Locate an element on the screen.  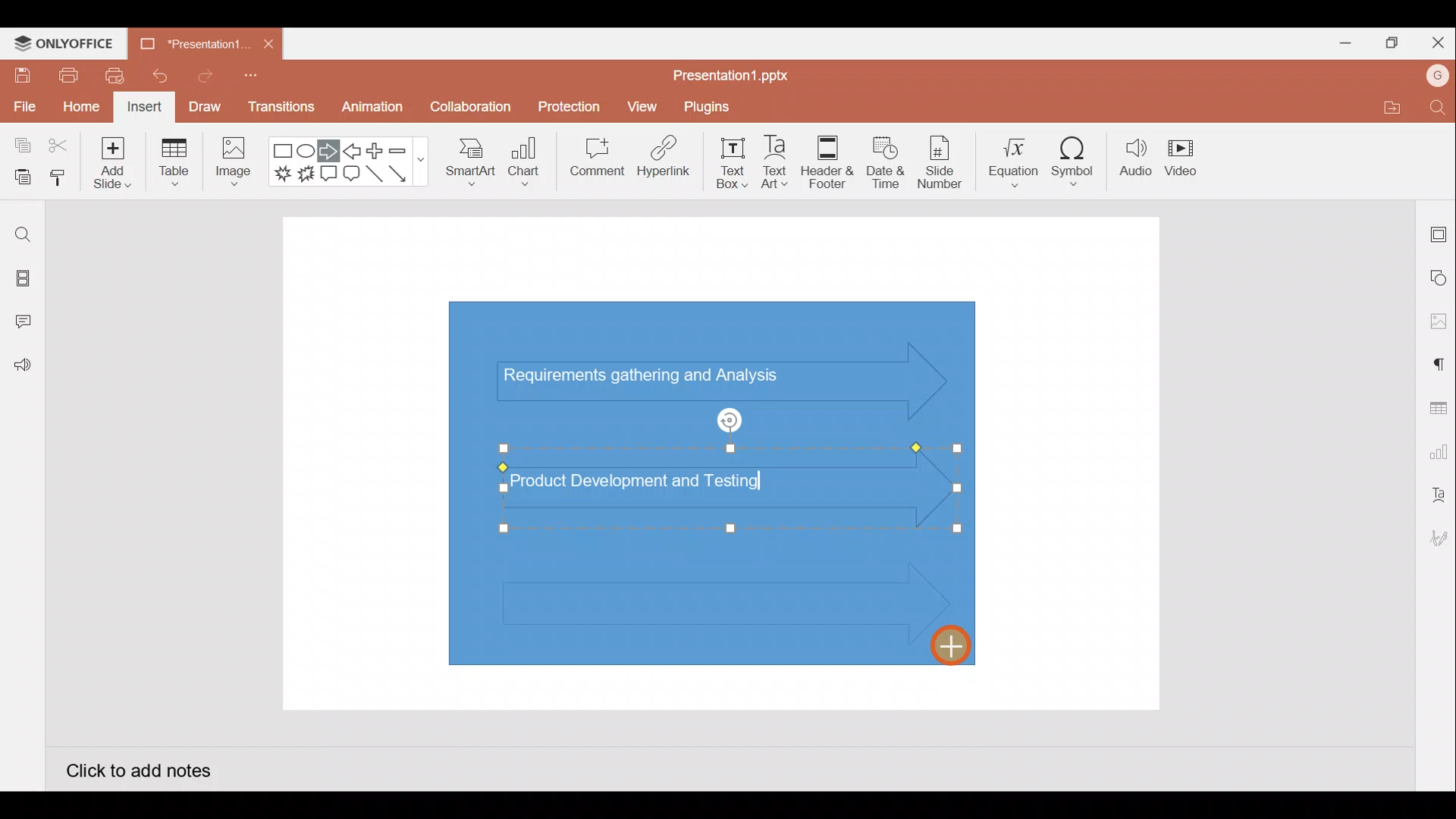
Draw is located at coordinates (204, 106).